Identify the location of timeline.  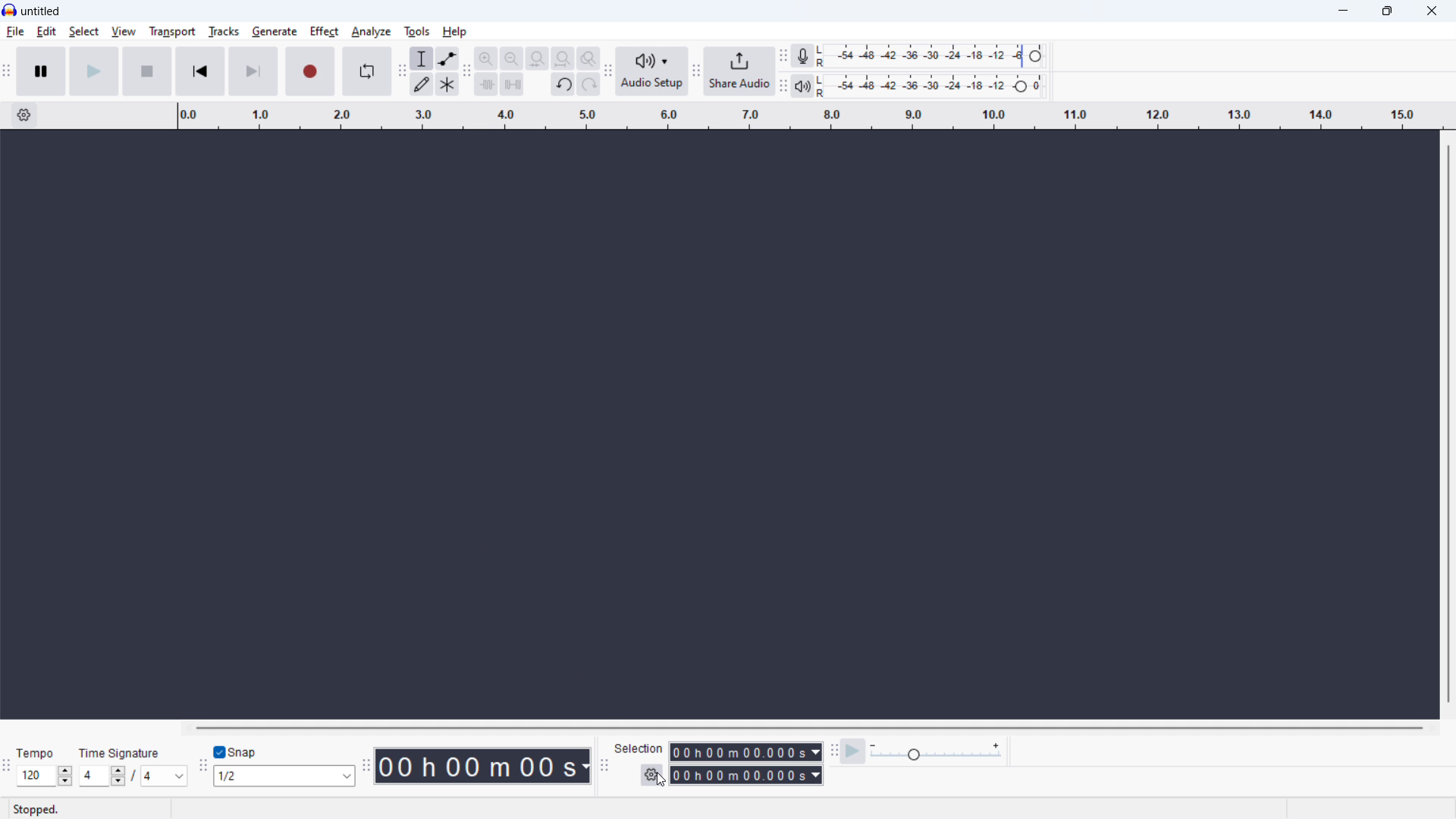
(809, 115).